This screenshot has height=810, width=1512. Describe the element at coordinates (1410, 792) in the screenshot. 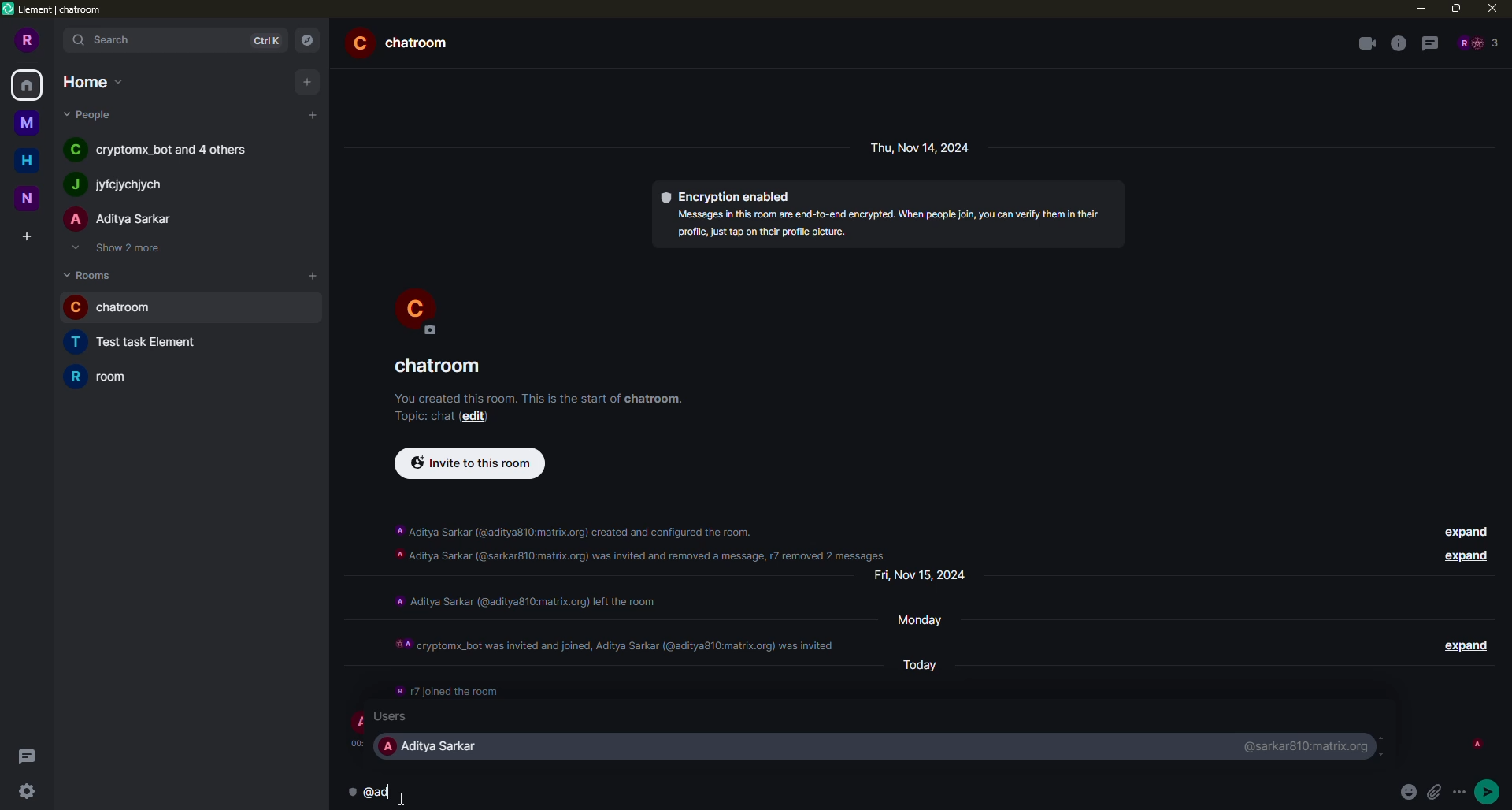

I see `emoji` at that location.